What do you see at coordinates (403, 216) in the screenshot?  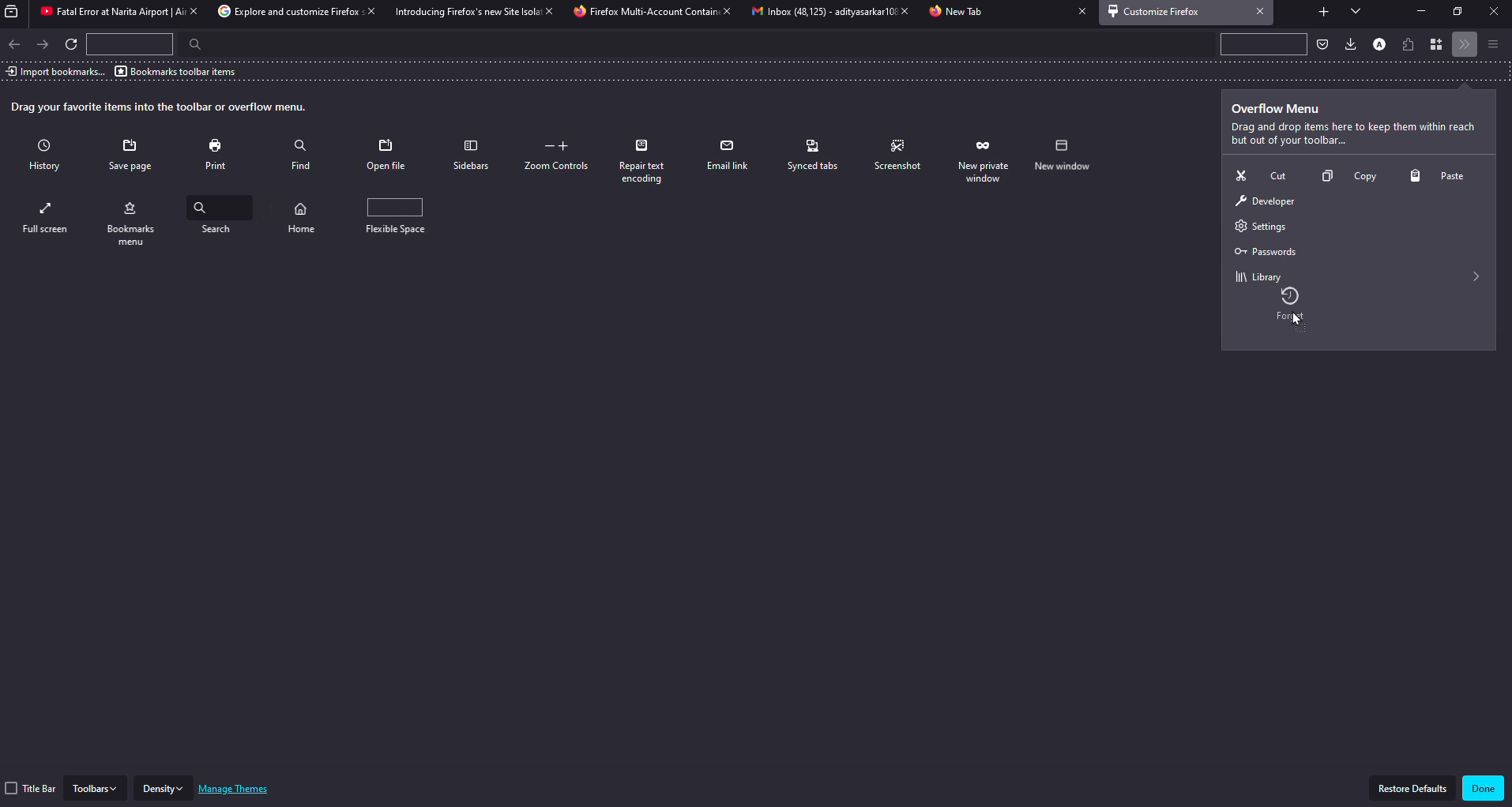 I see `flexible` at bounding box center [403, 216].